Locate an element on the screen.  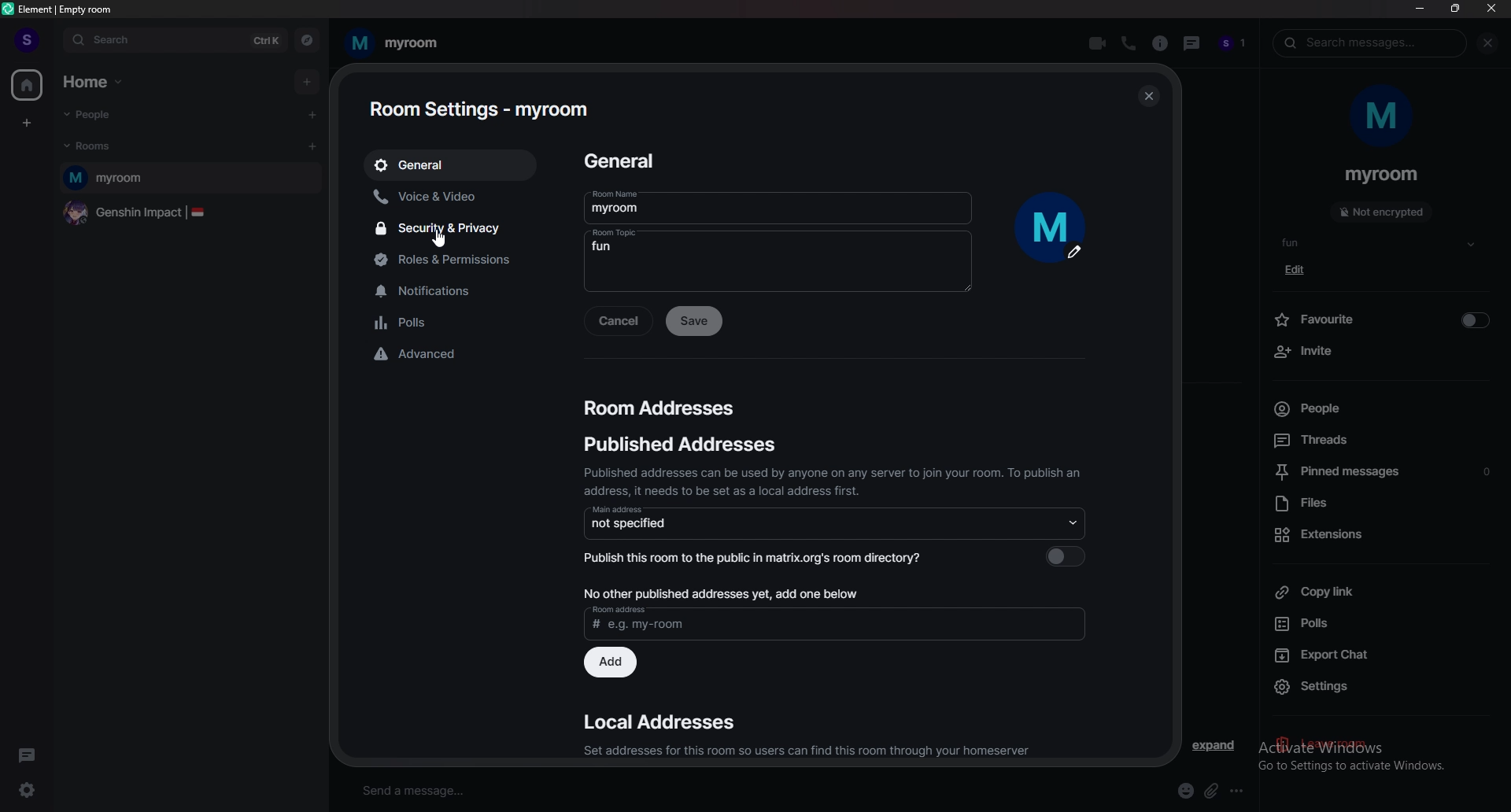
cancel is located at coordinates (618, 320).